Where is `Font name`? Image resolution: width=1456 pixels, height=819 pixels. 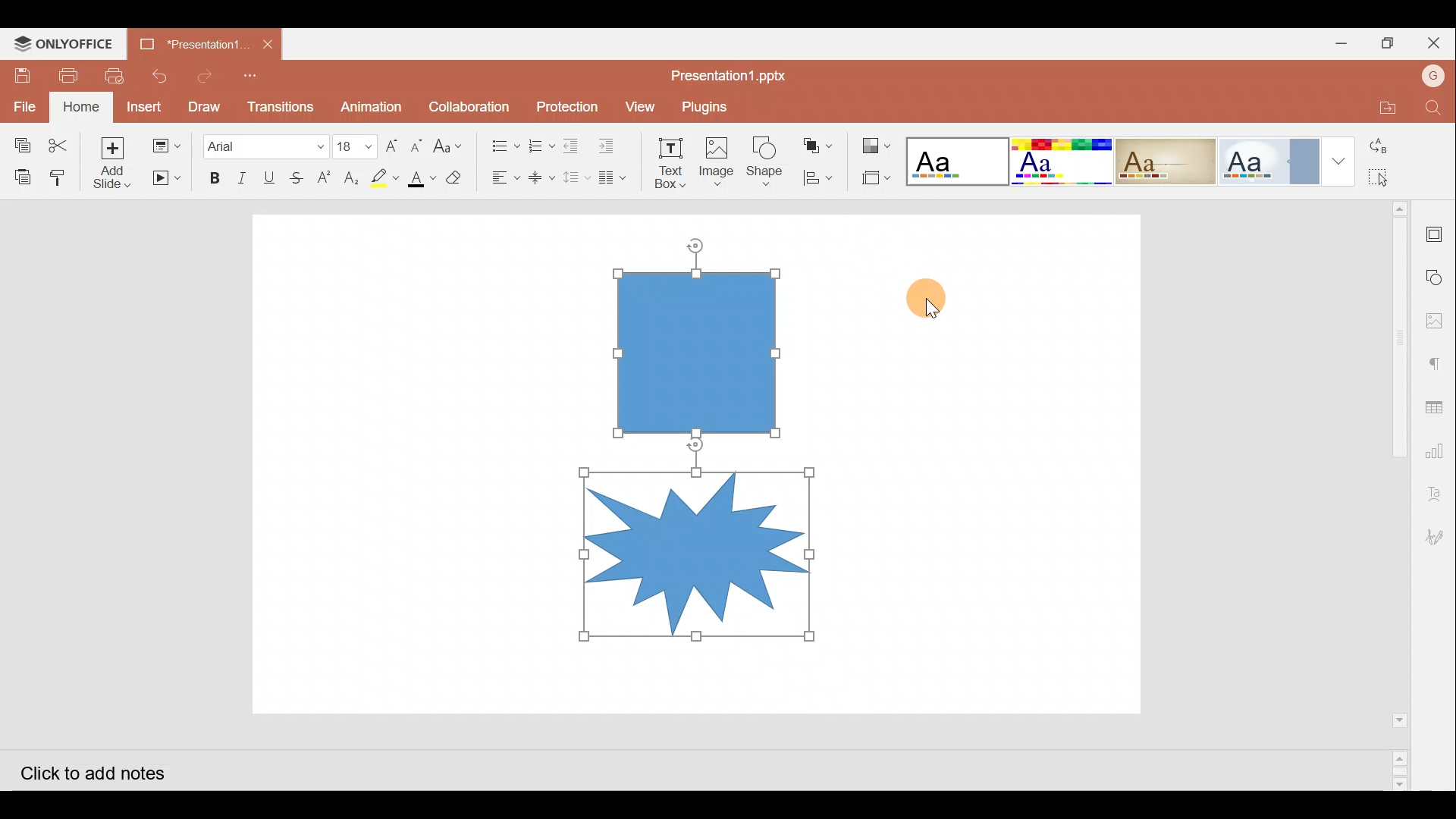 Font name is located at coordinates (264, 142).